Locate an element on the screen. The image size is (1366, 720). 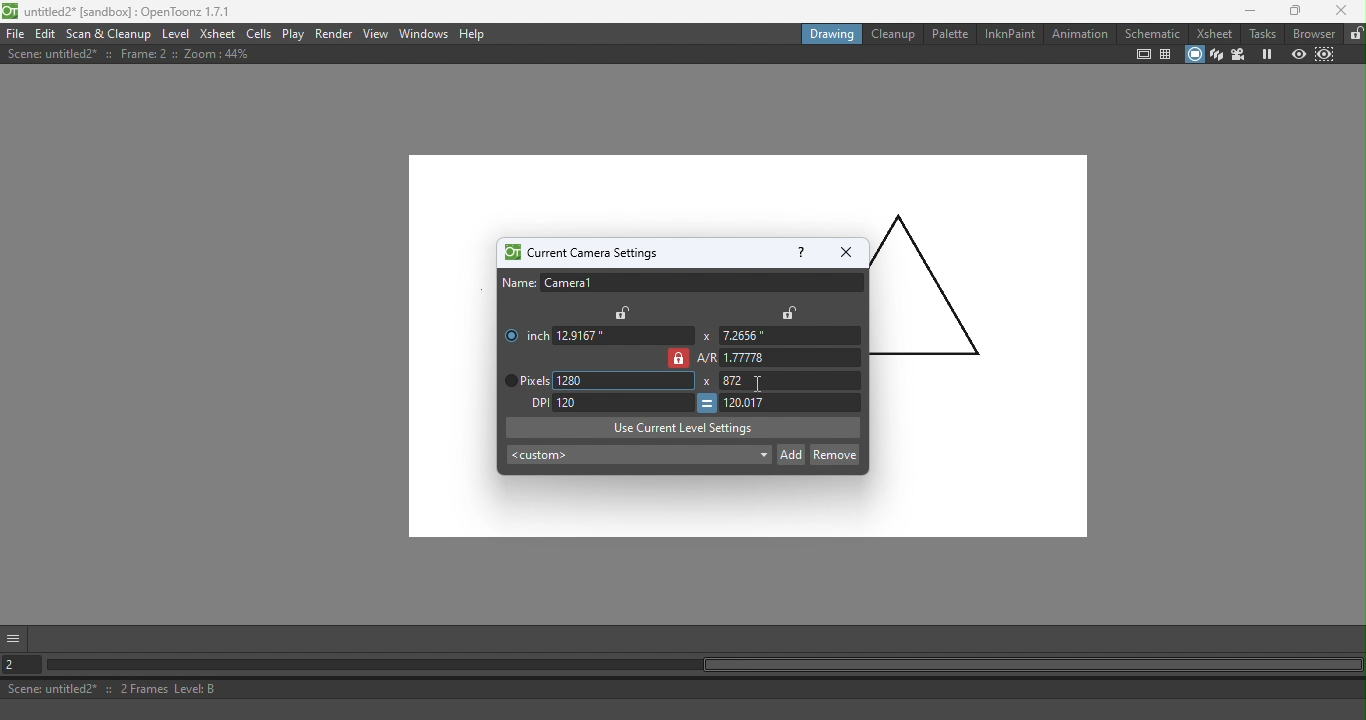
Enter dimension is located at coordinates (787, 336).